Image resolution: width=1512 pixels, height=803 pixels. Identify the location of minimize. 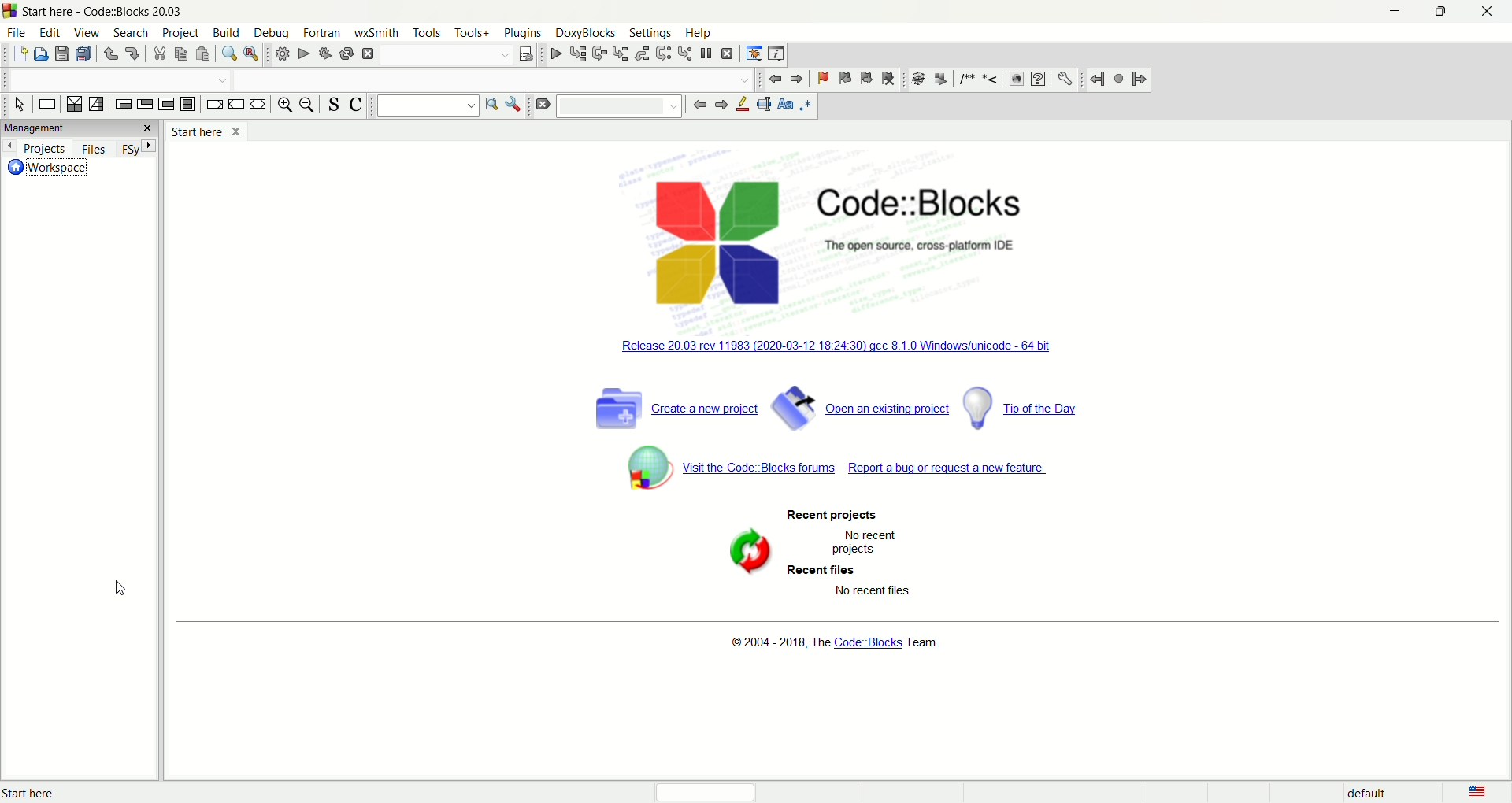
(1398, 11).